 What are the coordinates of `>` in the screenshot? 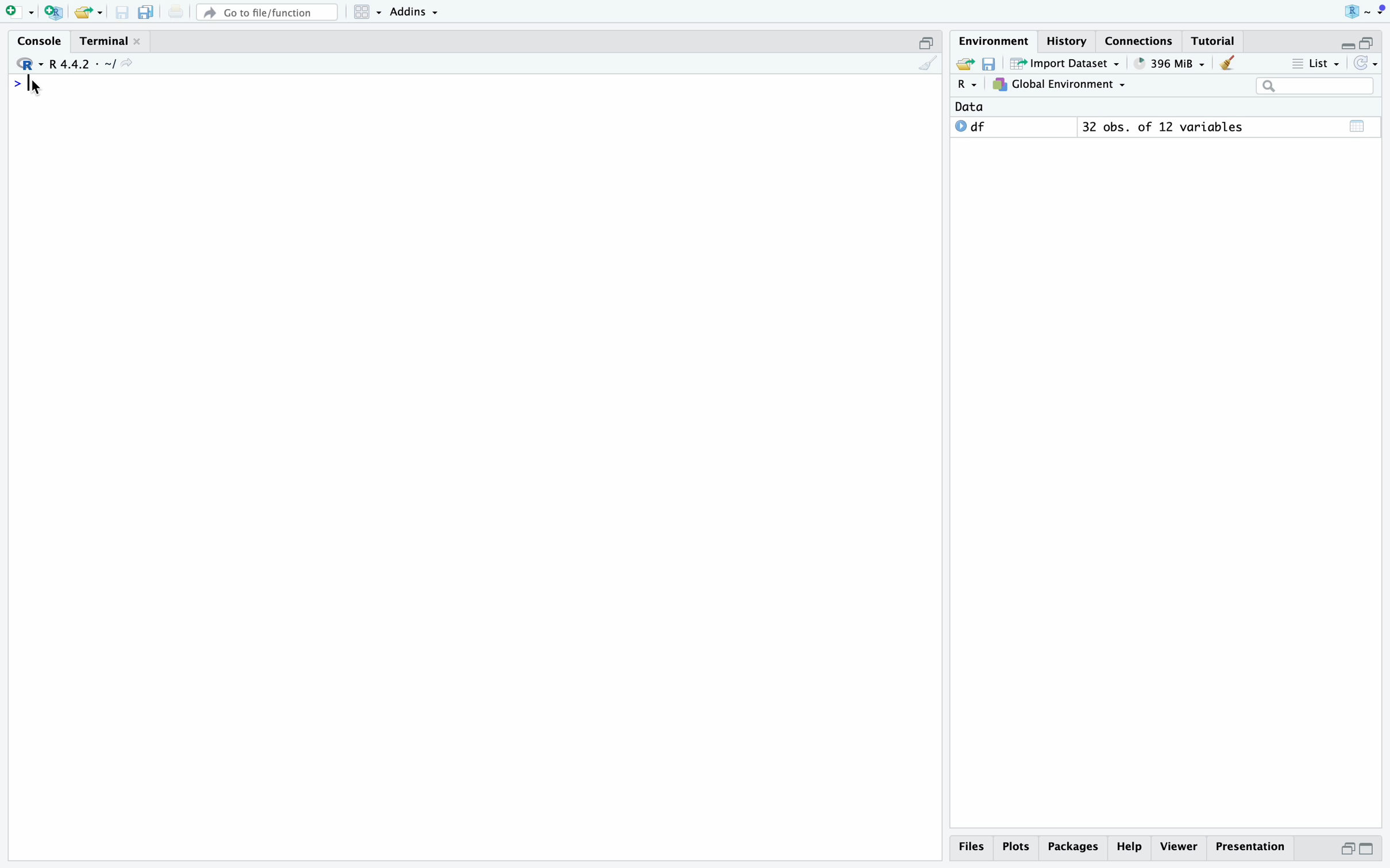 It's located at (16, 84).